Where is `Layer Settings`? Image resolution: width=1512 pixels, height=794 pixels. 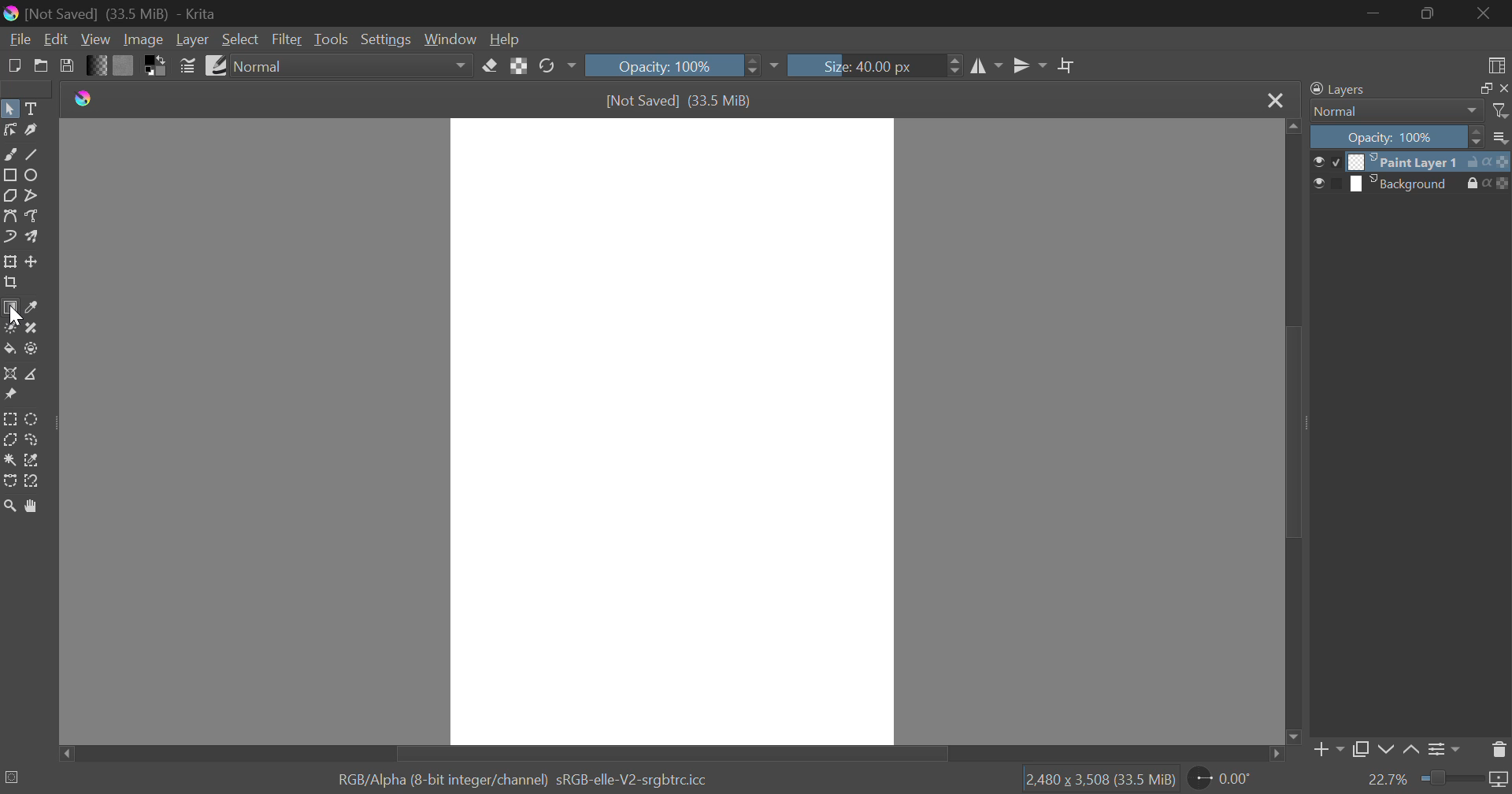
Layer Settings is located at coordinates (1442, 749).